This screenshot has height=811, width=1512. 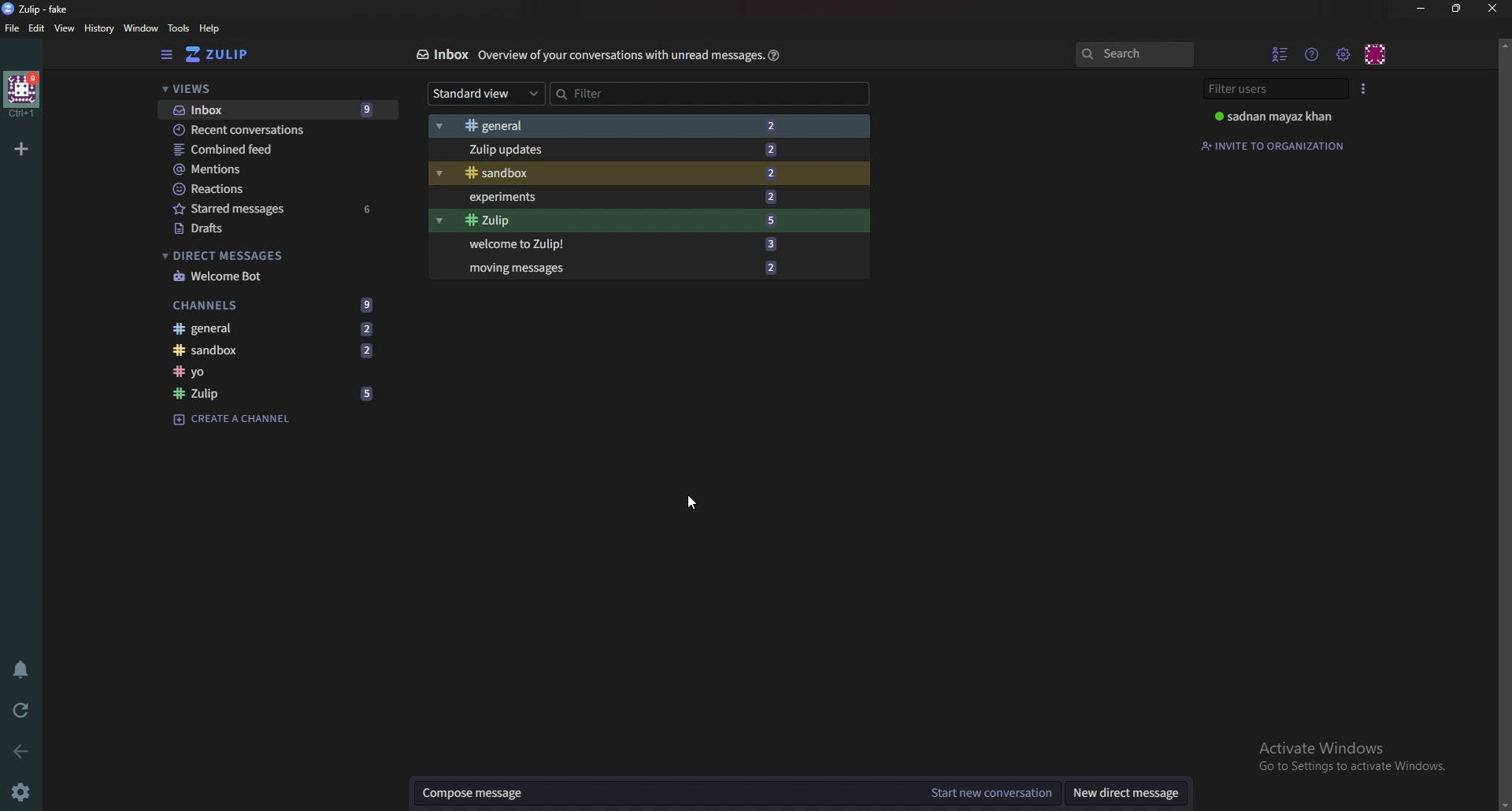 What do you see at coordinates (621, 198) in the screenshot?
I see `Experiments` at bounding box center [621, 198].